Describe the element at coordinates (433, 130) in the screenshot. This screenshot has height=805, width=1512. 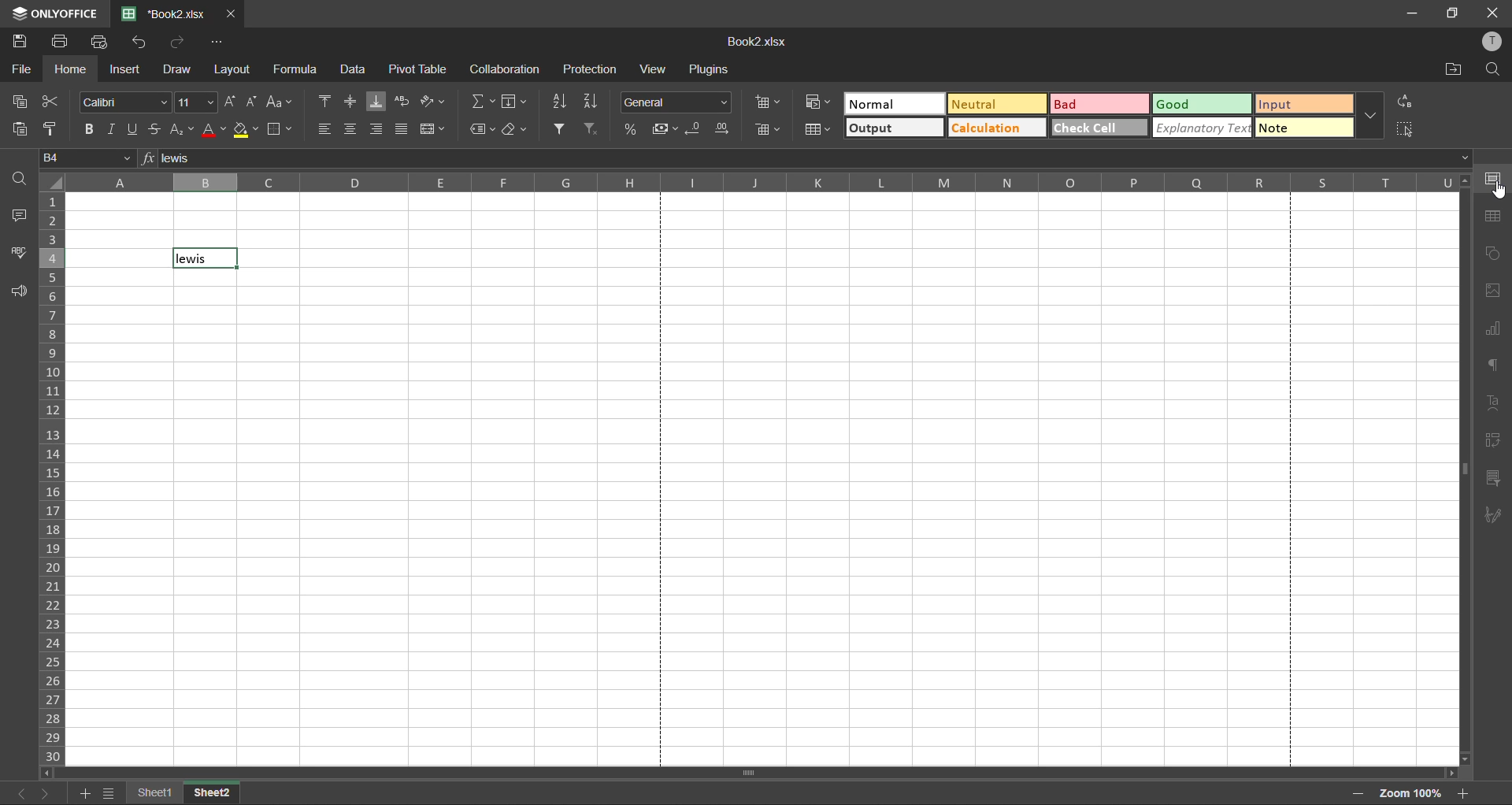
I see `merge and center` at that location.